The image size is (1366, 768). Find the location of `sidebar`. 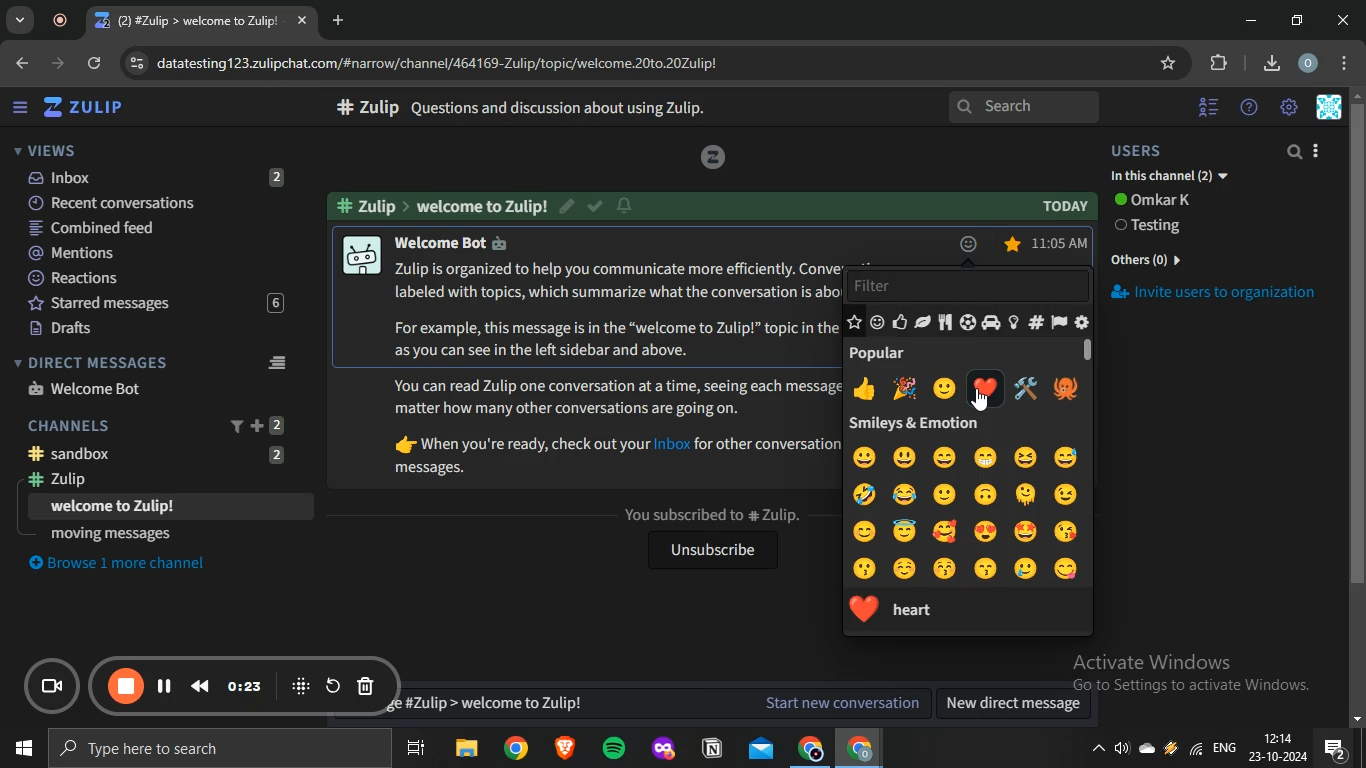

sidebar is located at coordinates (20, 108).